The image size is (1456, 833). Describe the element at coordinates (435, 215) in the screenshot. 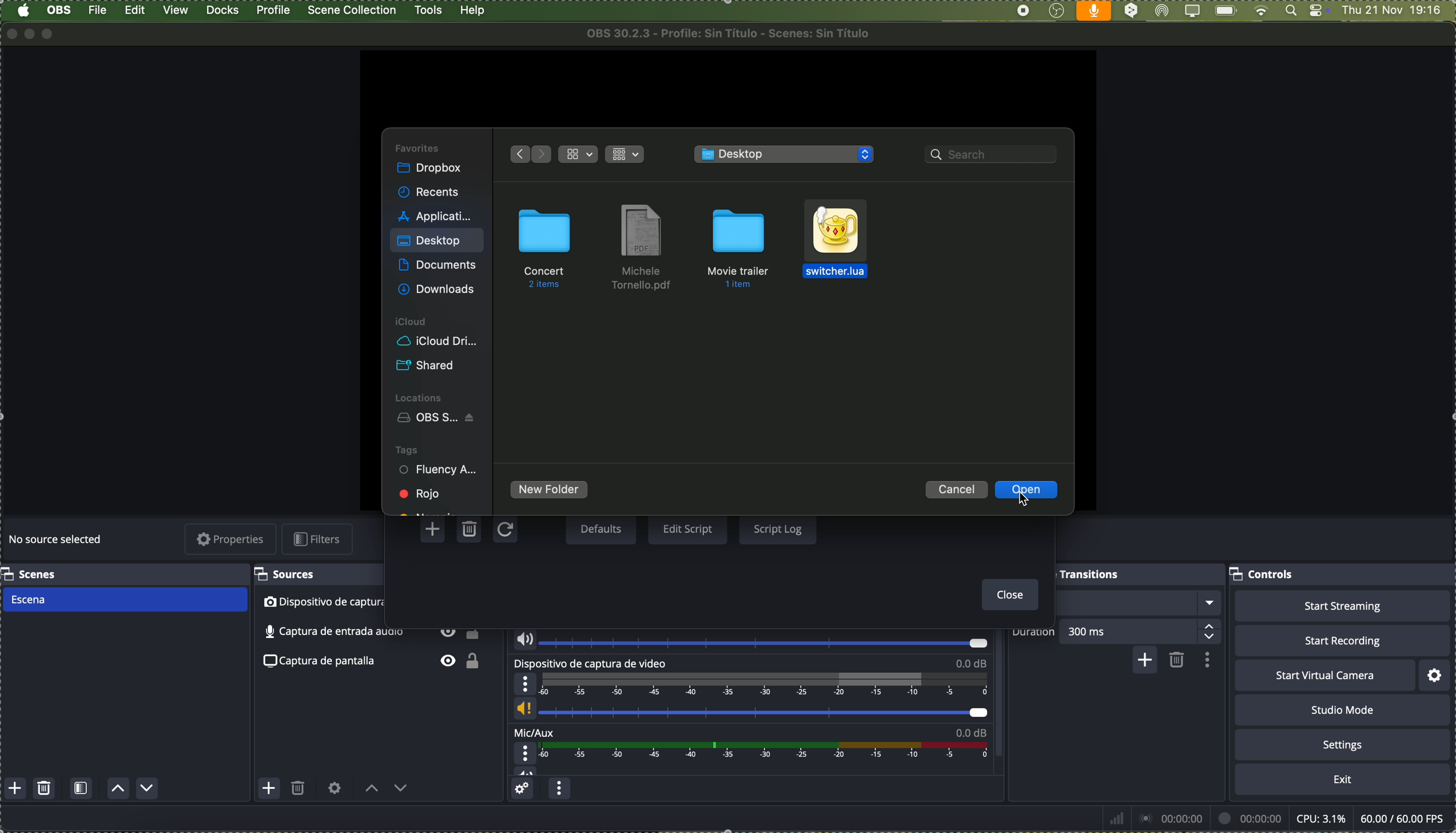

I see `applications` at that location.